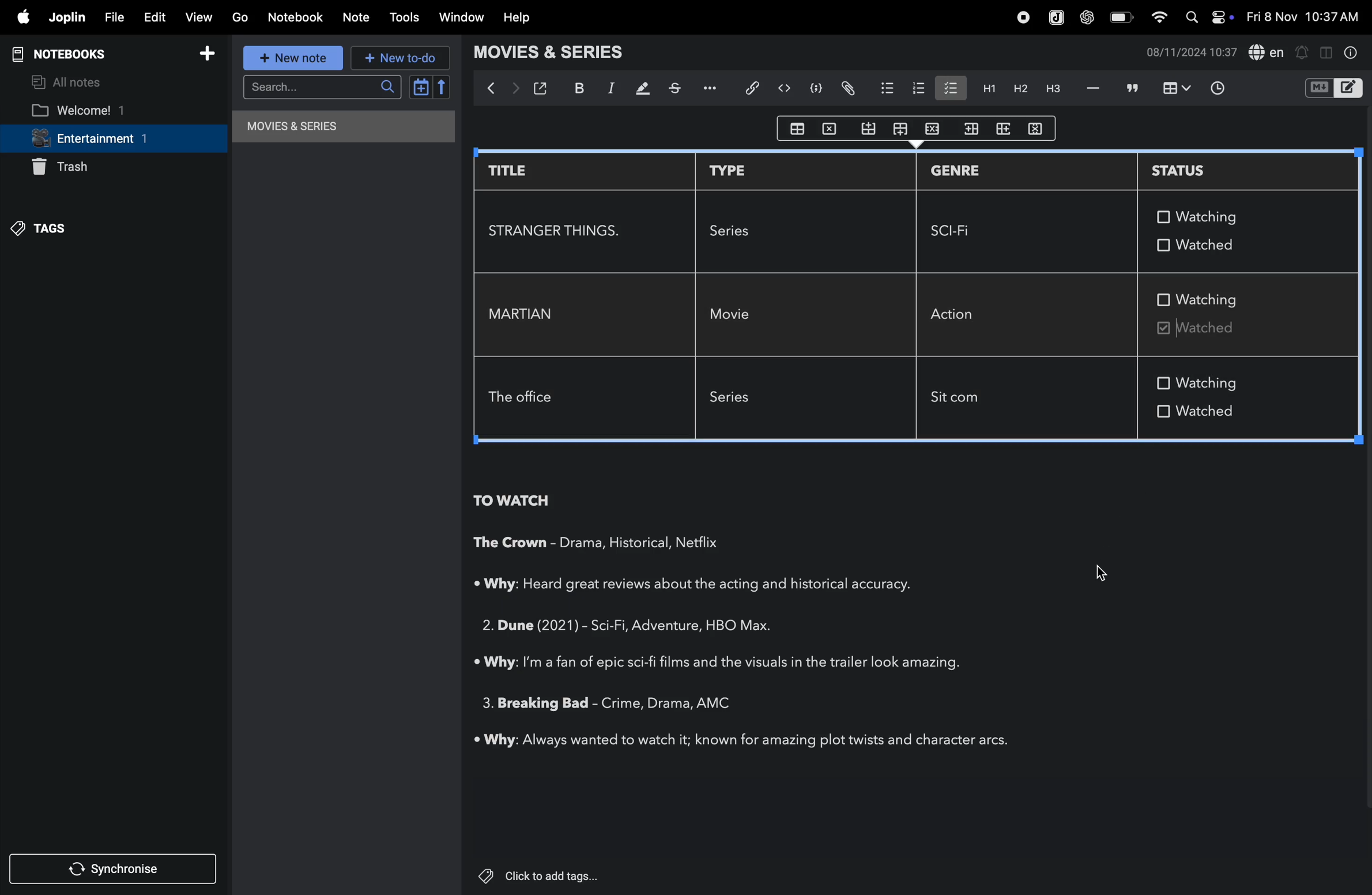 The image size is (1372, 895). What do you see at coordinates (1173, 89) in the screenshot?
I see `table view` at bounding box center [1173, 89].